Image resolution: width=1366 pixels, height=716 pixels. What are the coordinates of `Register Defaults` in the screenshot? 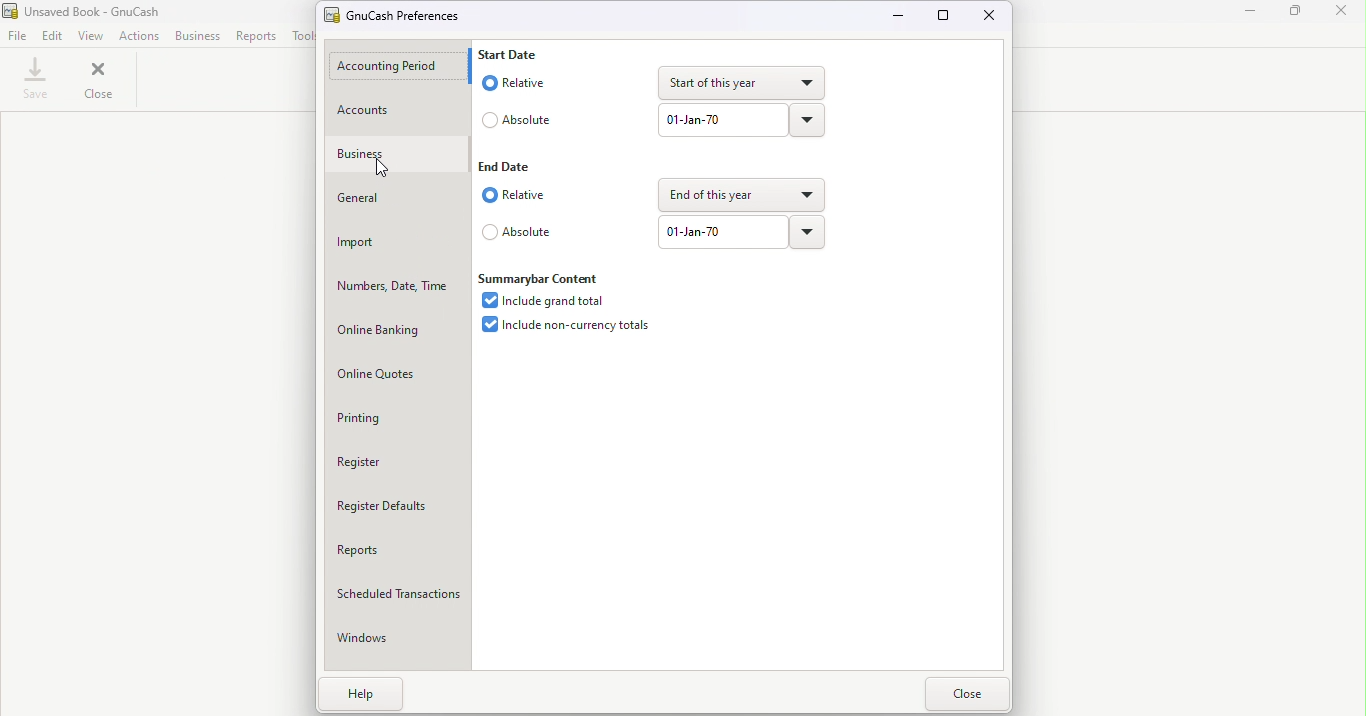 It's located at (399, 511).